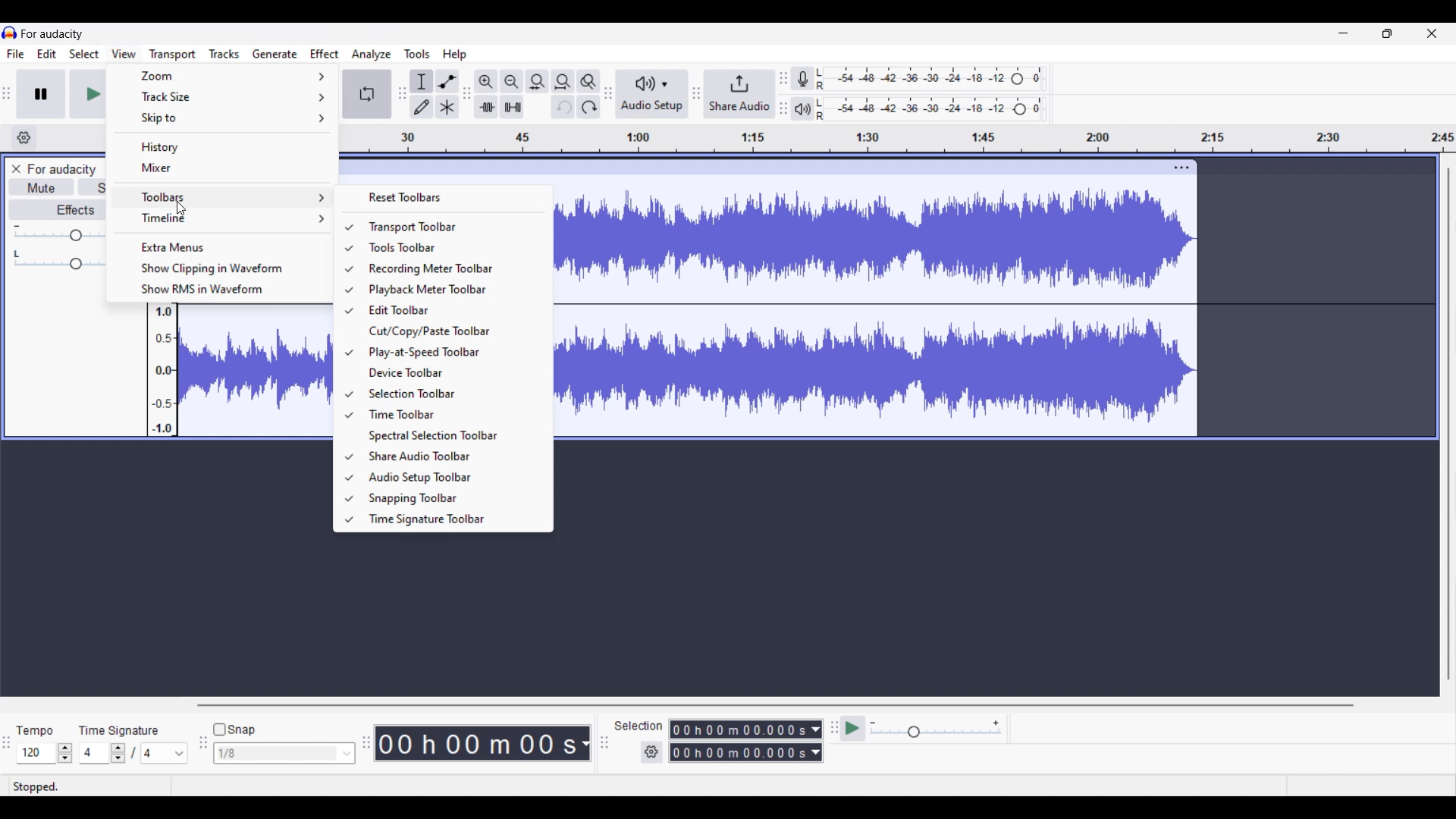 This screenshot has height=819, width=1456. What do you see at coordinates (851, 729) in the screenshot?
I see `play at speed` at bounding box center [851, 729].